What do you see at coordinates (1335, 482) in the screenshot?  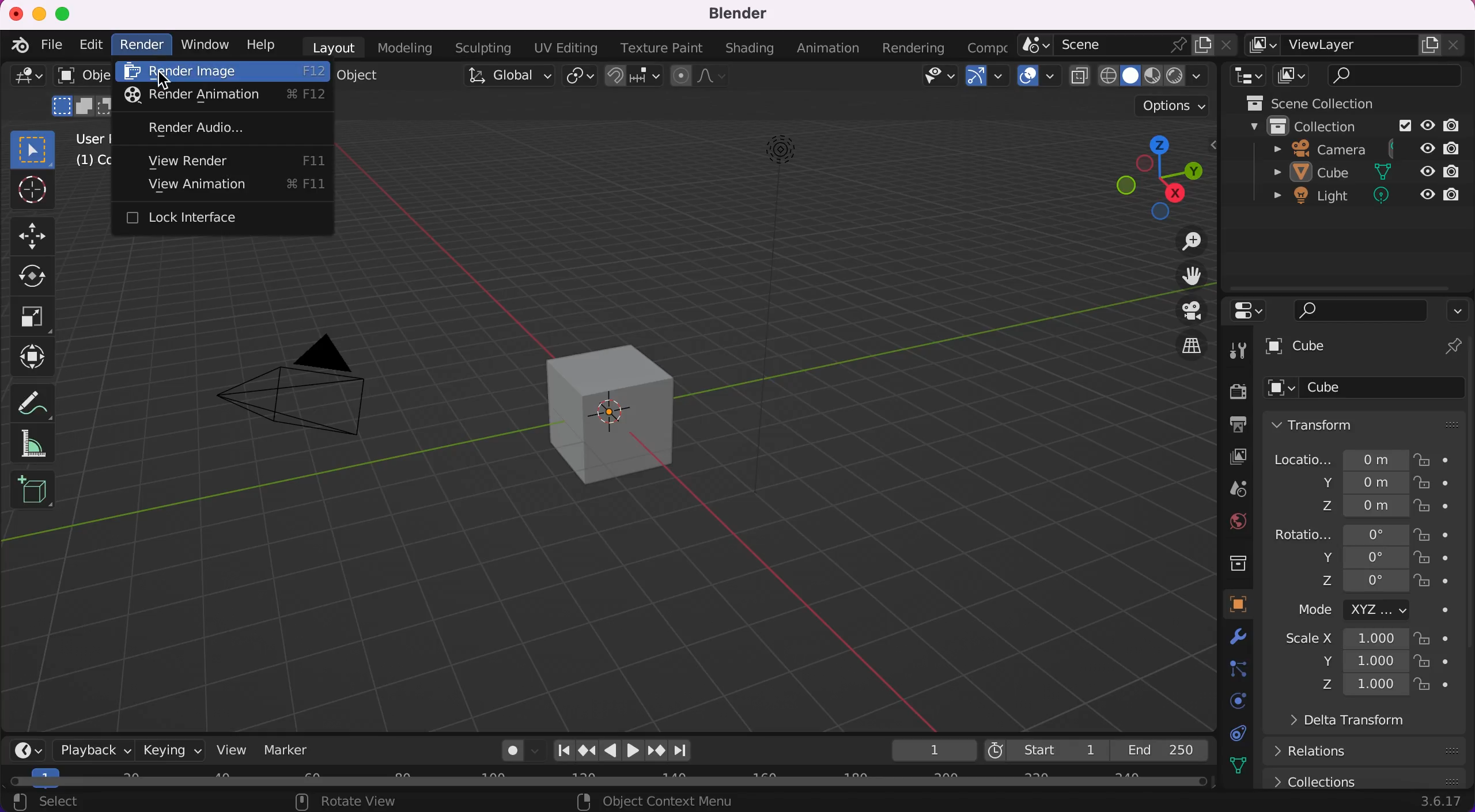 I see `y 0m` at bounding box center [1335, 482].